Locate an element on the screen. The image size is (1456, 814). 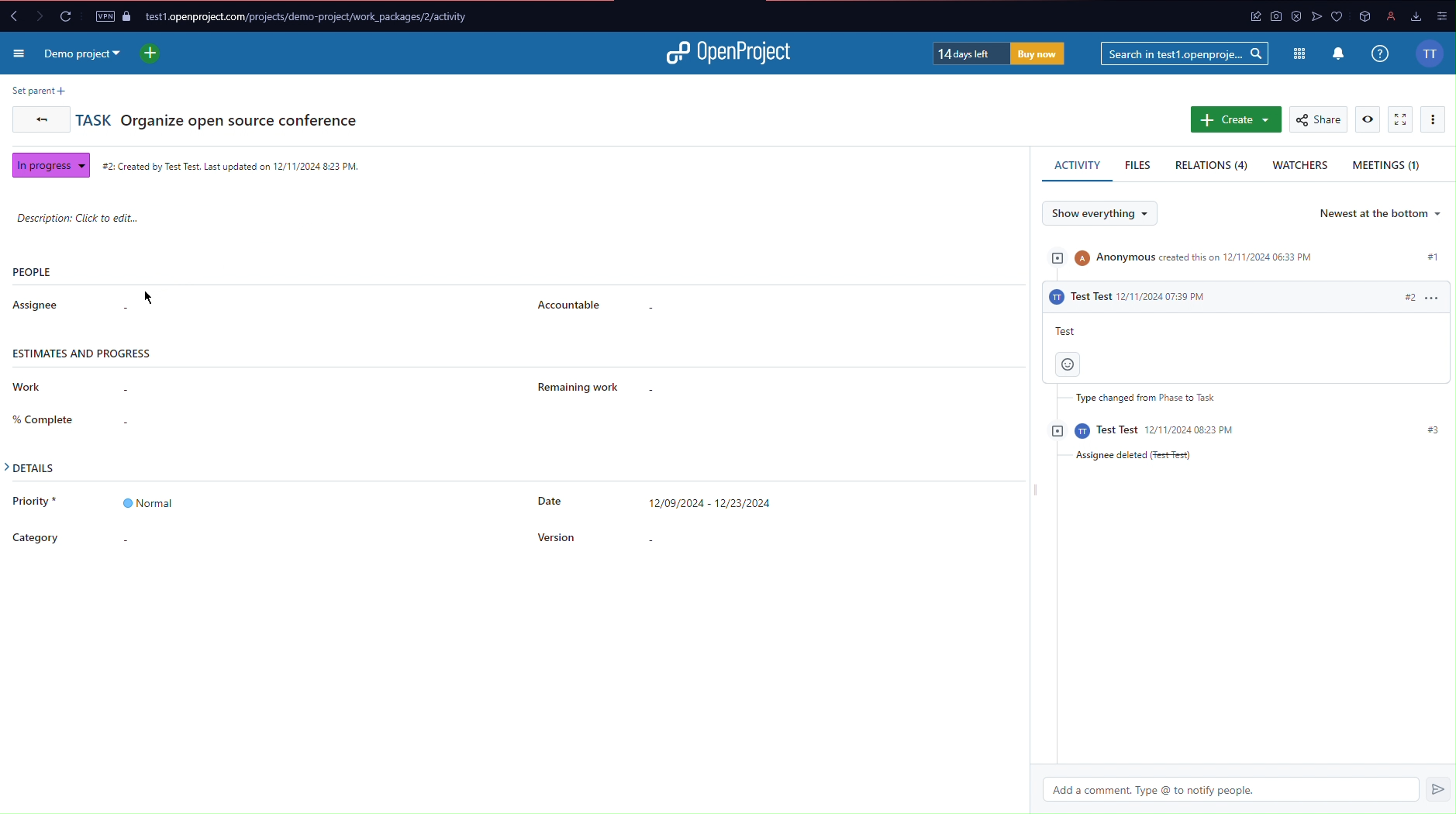
Watchers is located at coordinates (1300, 167).